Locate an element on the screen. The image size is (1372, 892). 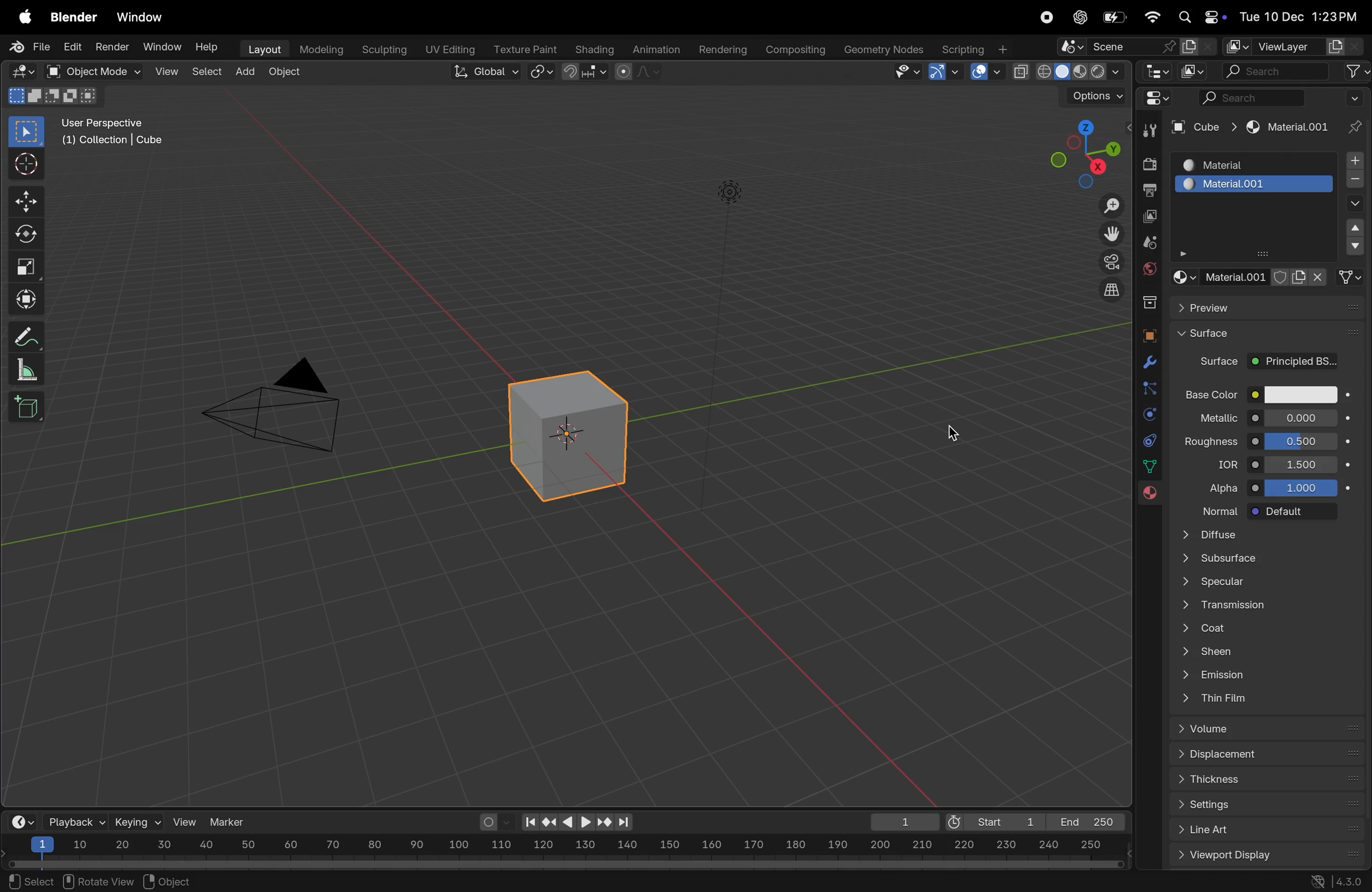
editor type is located at coordinates (1162, 101).